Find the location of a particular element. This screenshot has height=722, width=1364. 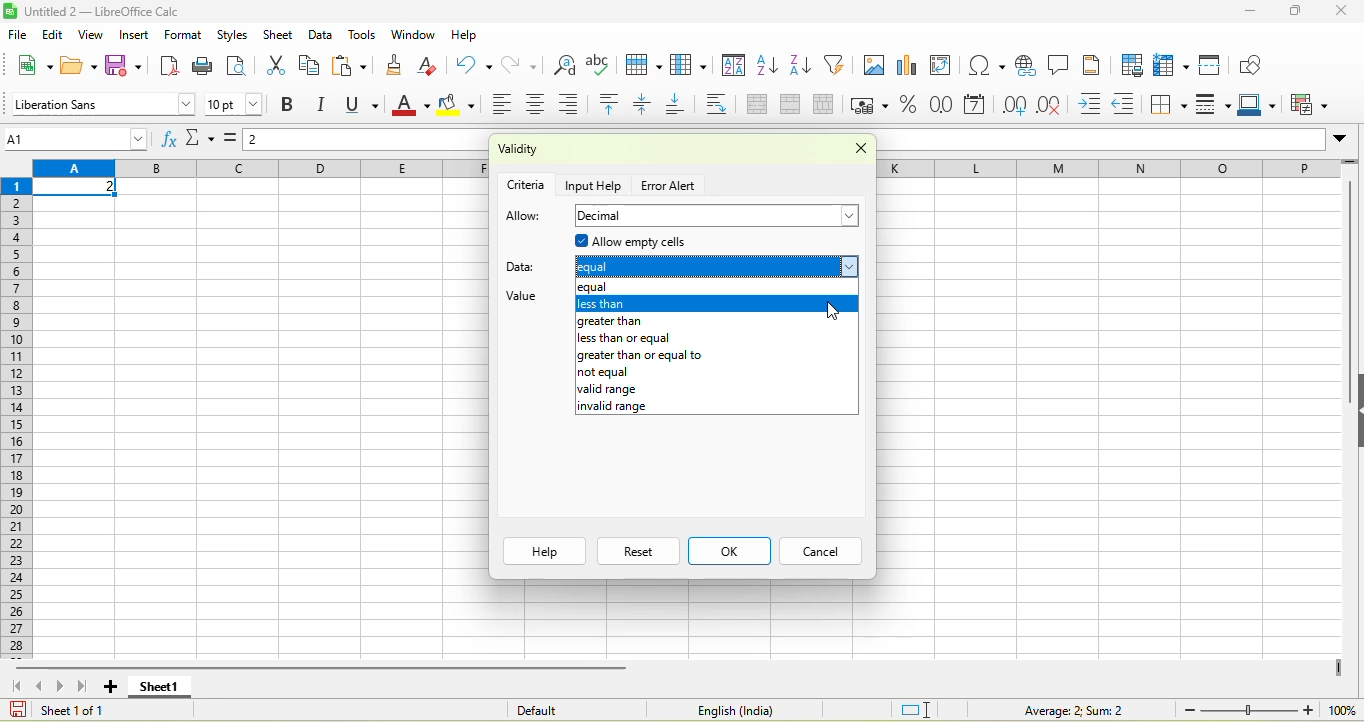

center vertically is located at coordinates (648, 105).